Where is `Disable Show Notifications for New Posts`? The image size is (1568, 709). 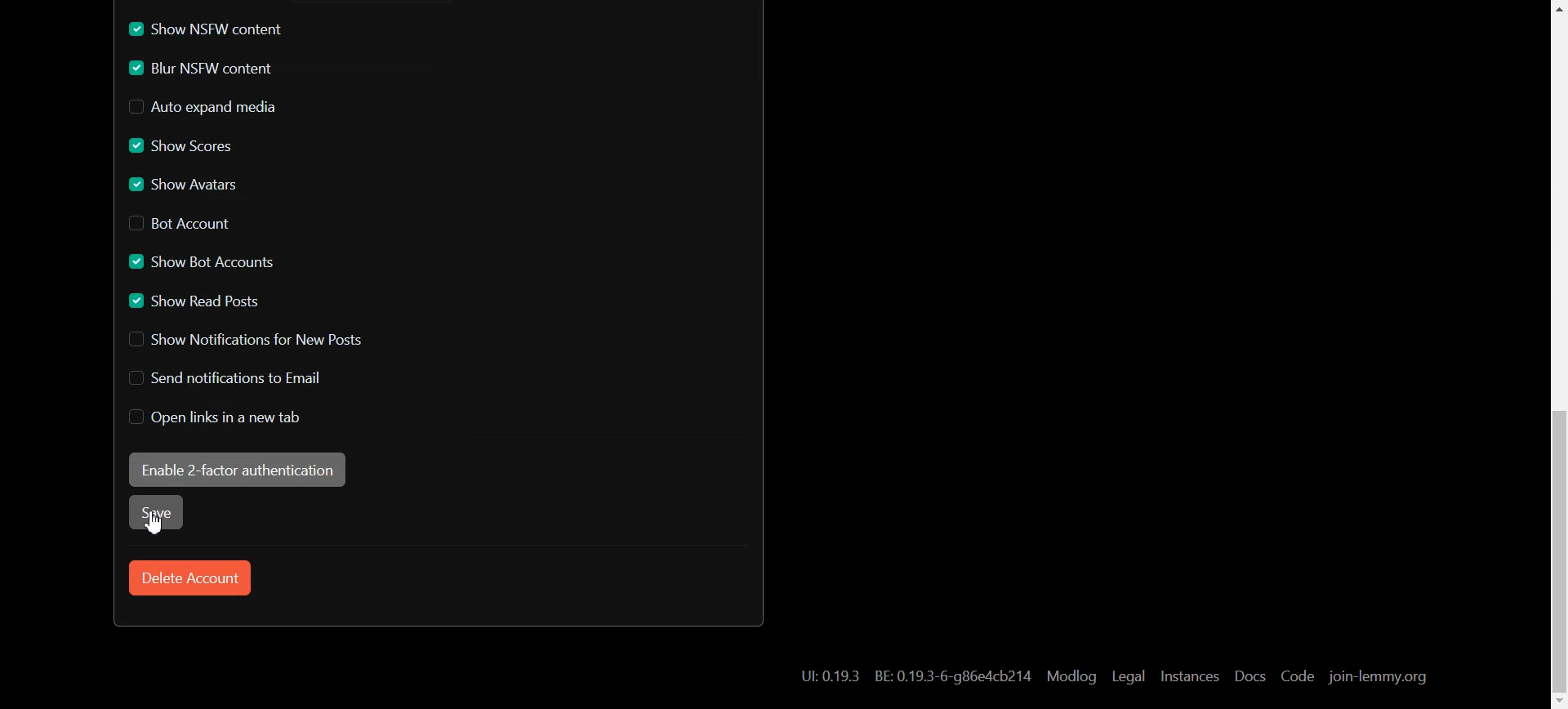
Disable Show Notifications for New Posts is located at coordinates (244, 340).